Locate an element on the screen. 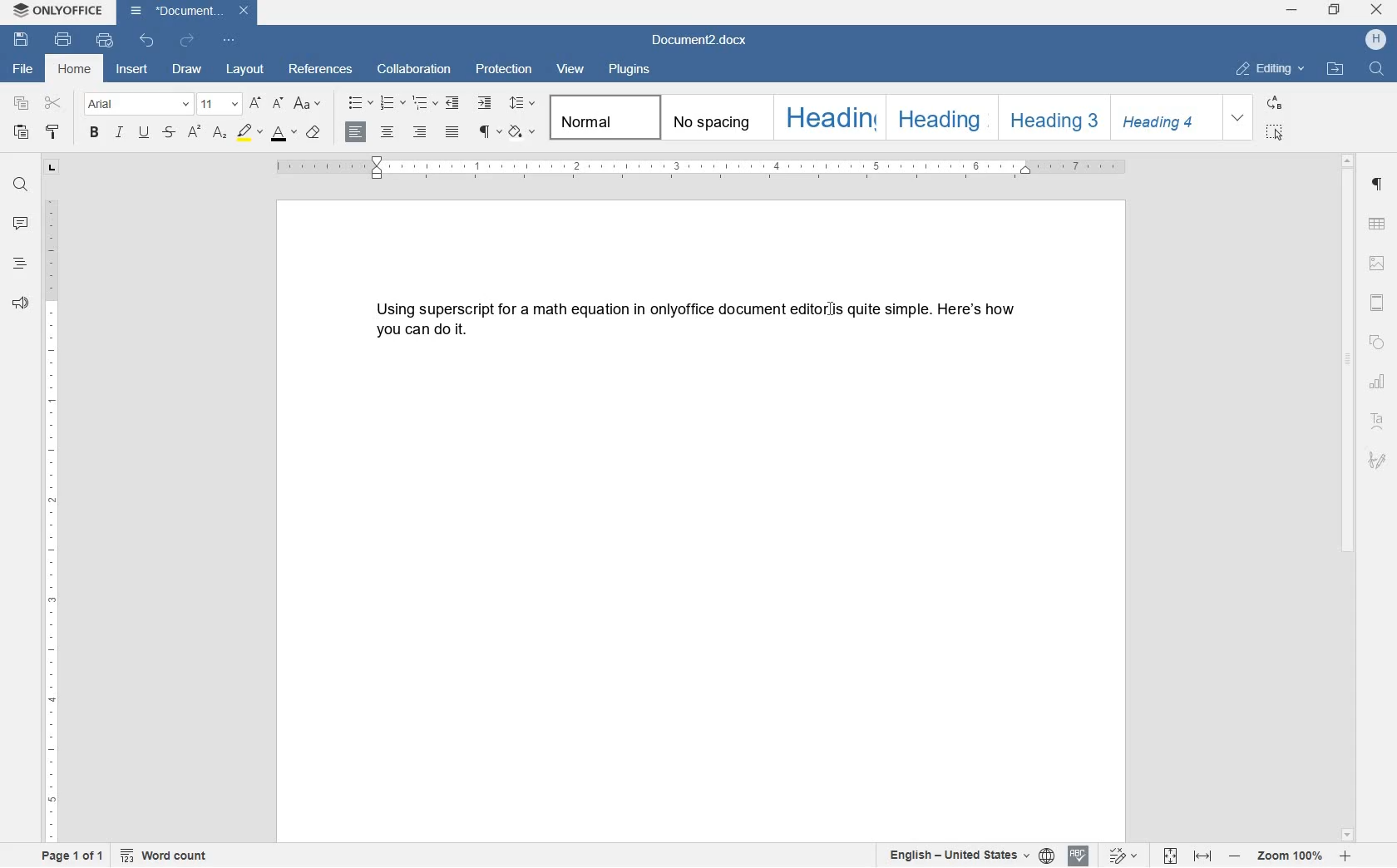  feedback & support is located at coordinates (21, 303).